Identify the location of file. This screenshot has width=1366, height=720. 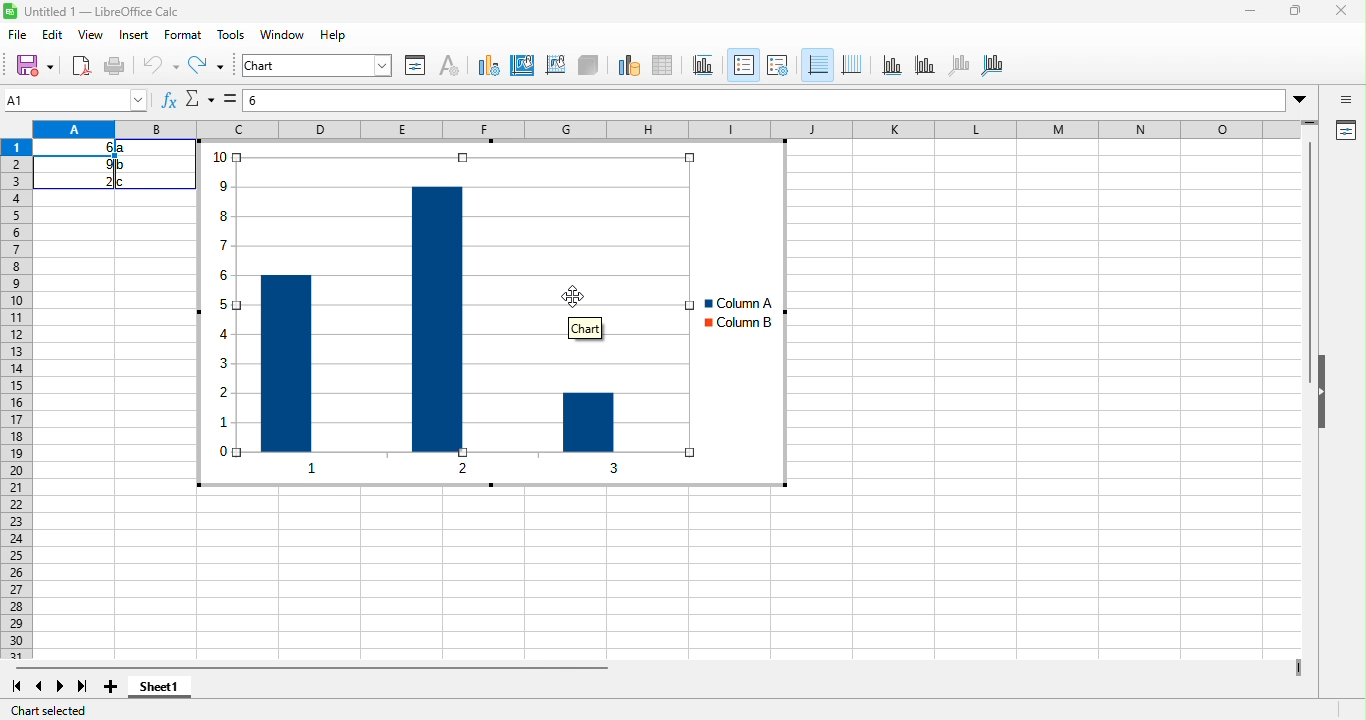
(20, 35).